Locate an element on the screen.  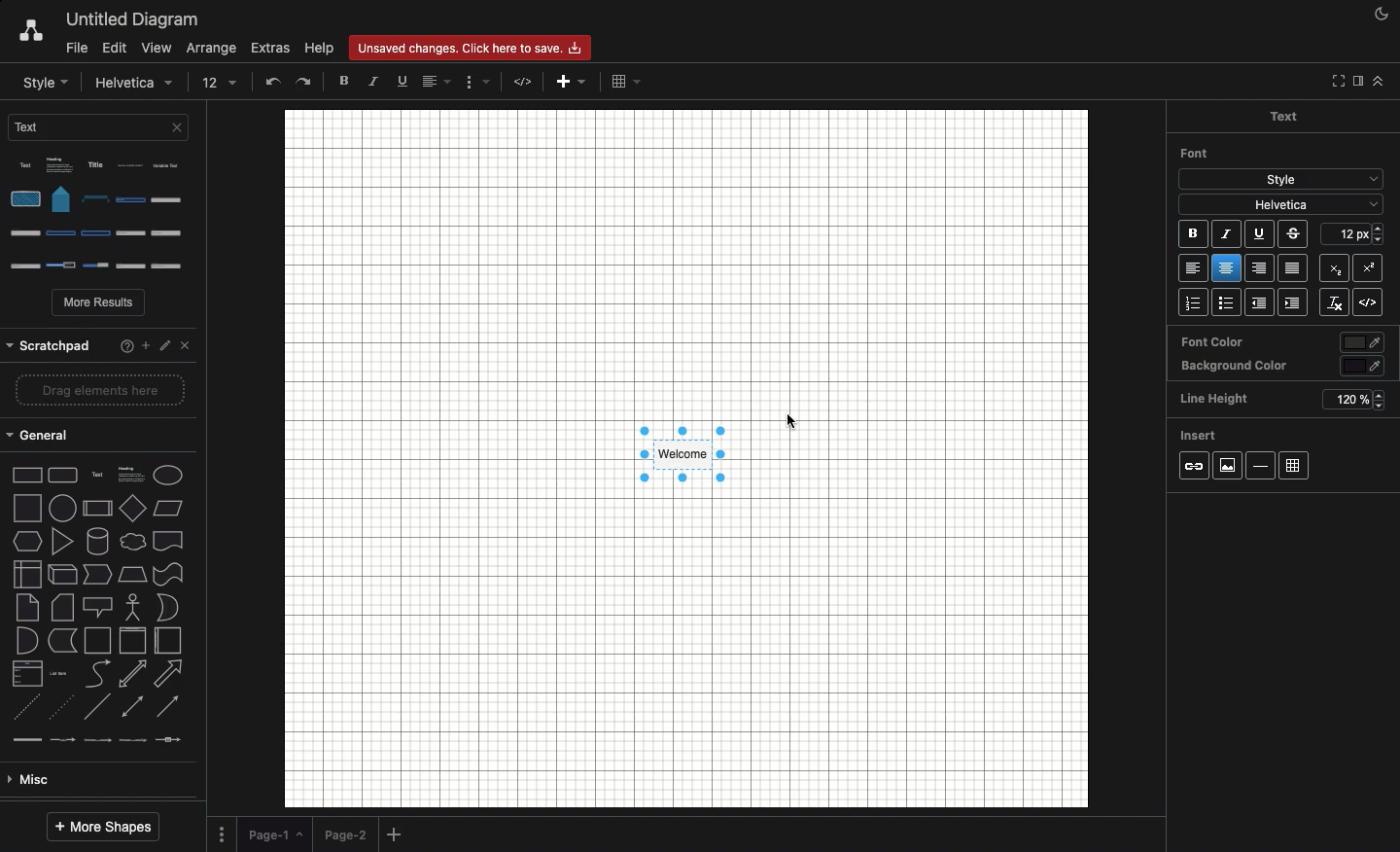
More shapes is located at coordinates (102, 828).